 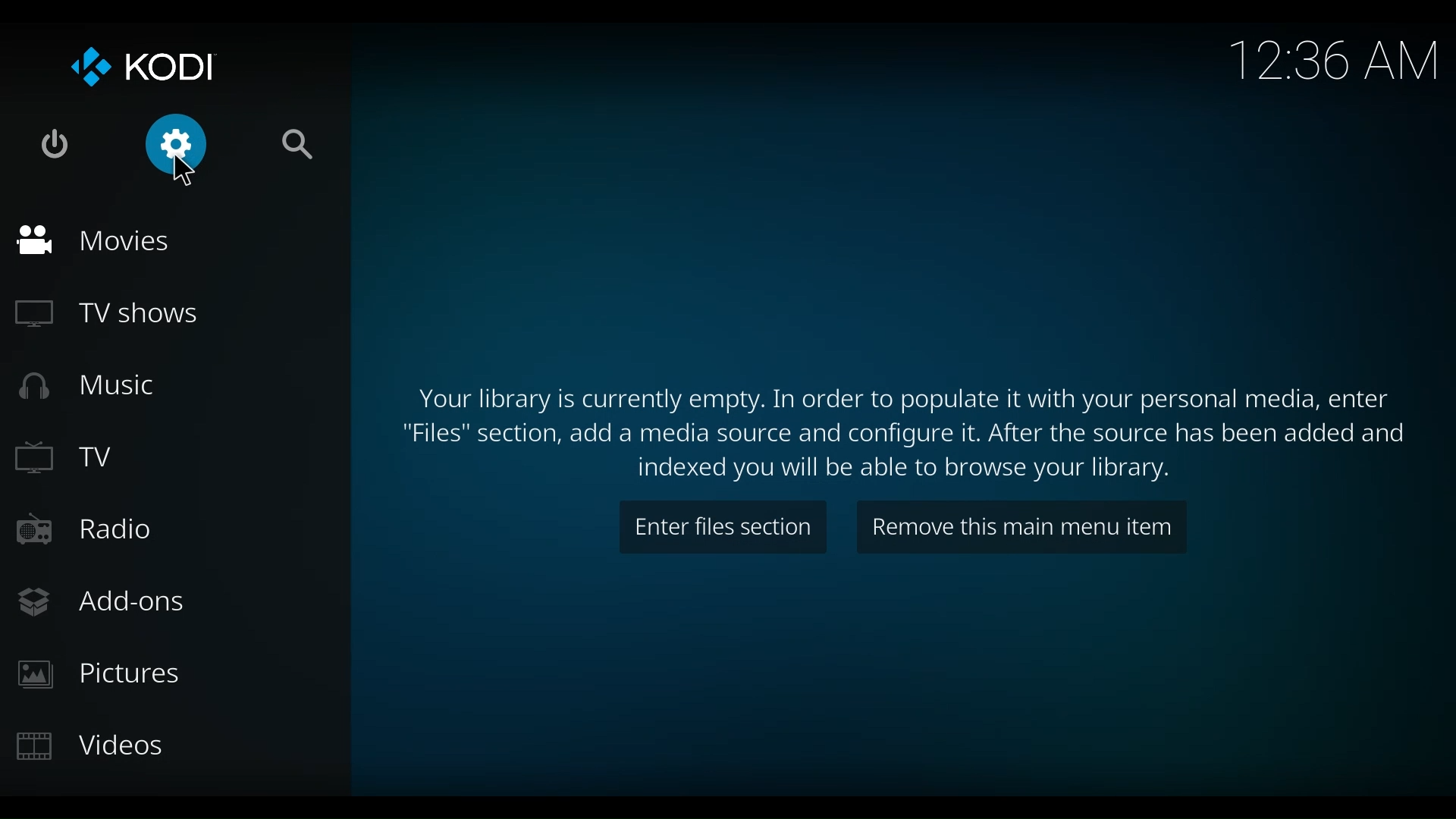 What do you see at coordinates (98, 673) in the screenshot?
I see `Pictures` at bounding box center [98, 673].